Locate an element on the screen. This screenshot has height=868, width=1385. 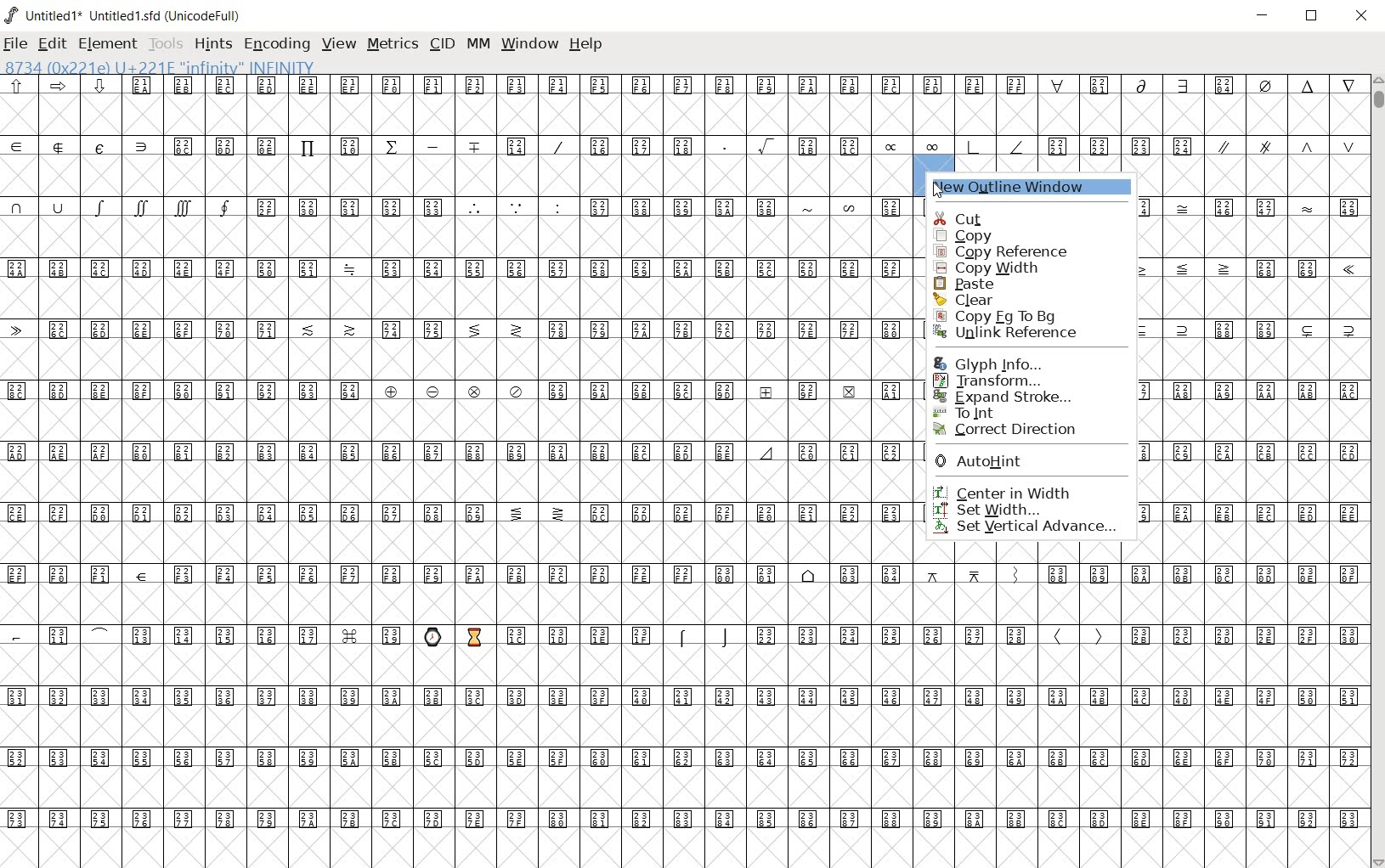
correct direction is located at coordinates (1025, 431).